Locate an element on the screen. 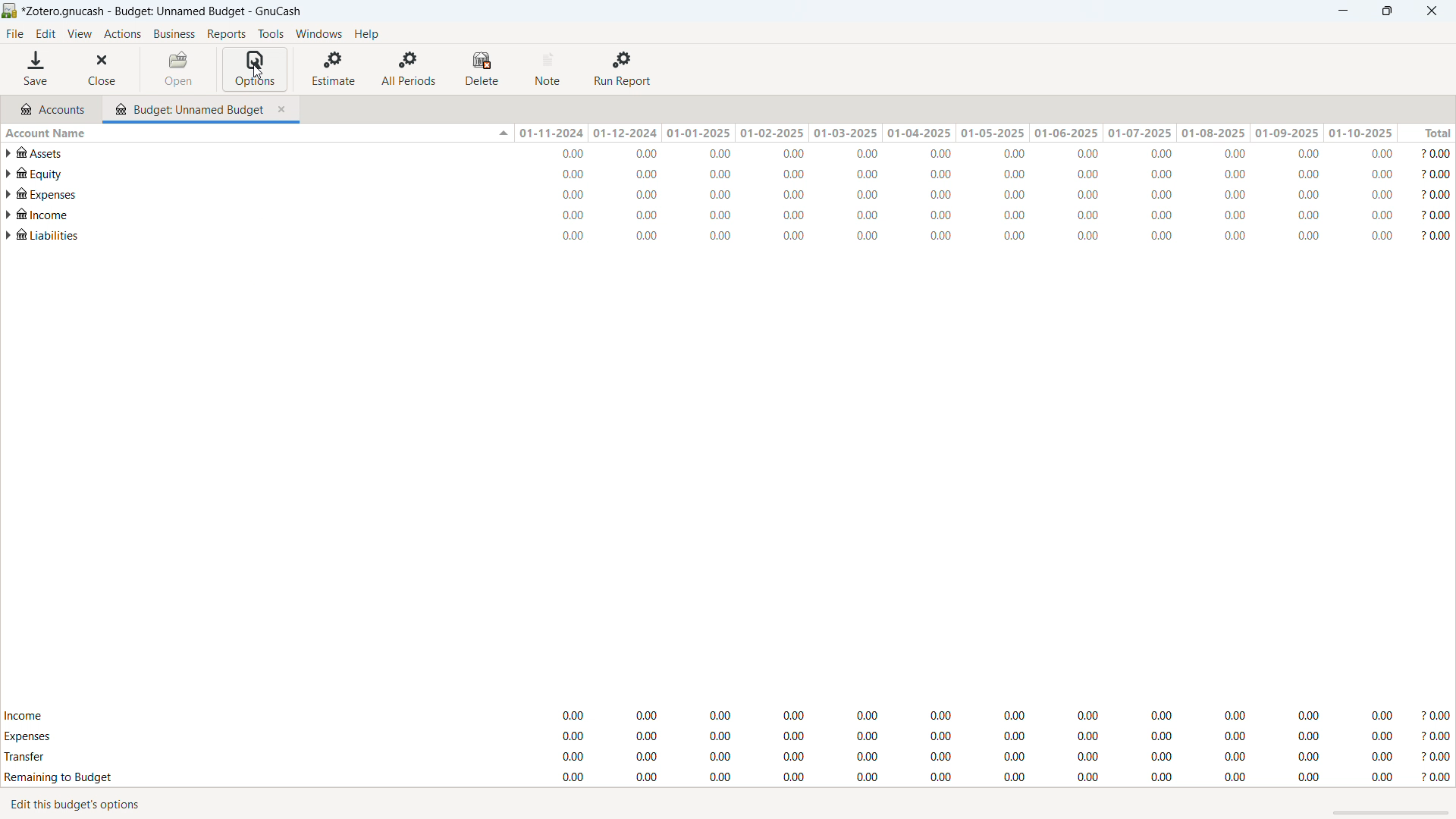  Income totals is located at coordinates (728, 717).